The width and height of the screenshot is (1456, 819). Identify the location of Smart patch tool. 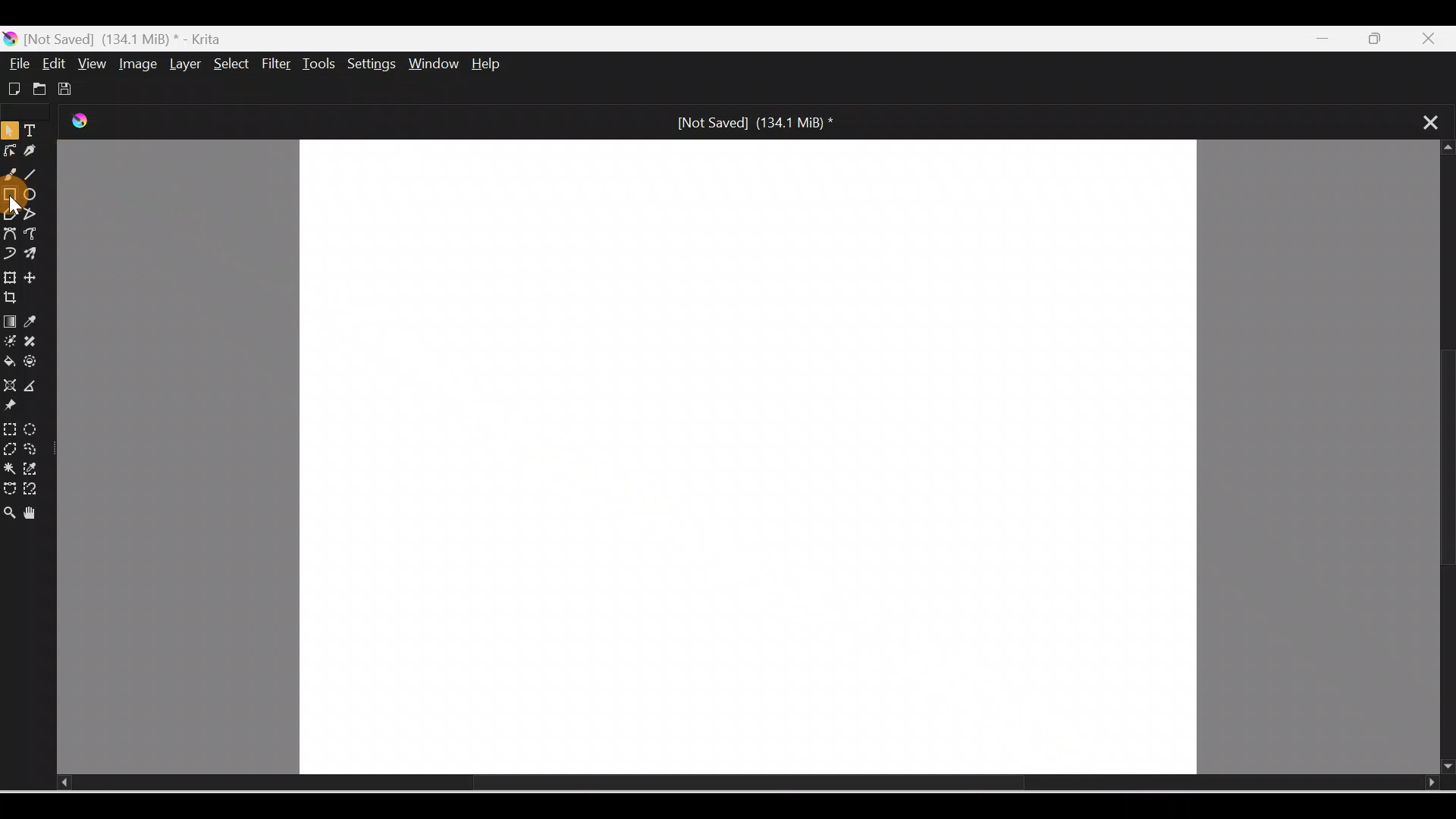
(37, 342).